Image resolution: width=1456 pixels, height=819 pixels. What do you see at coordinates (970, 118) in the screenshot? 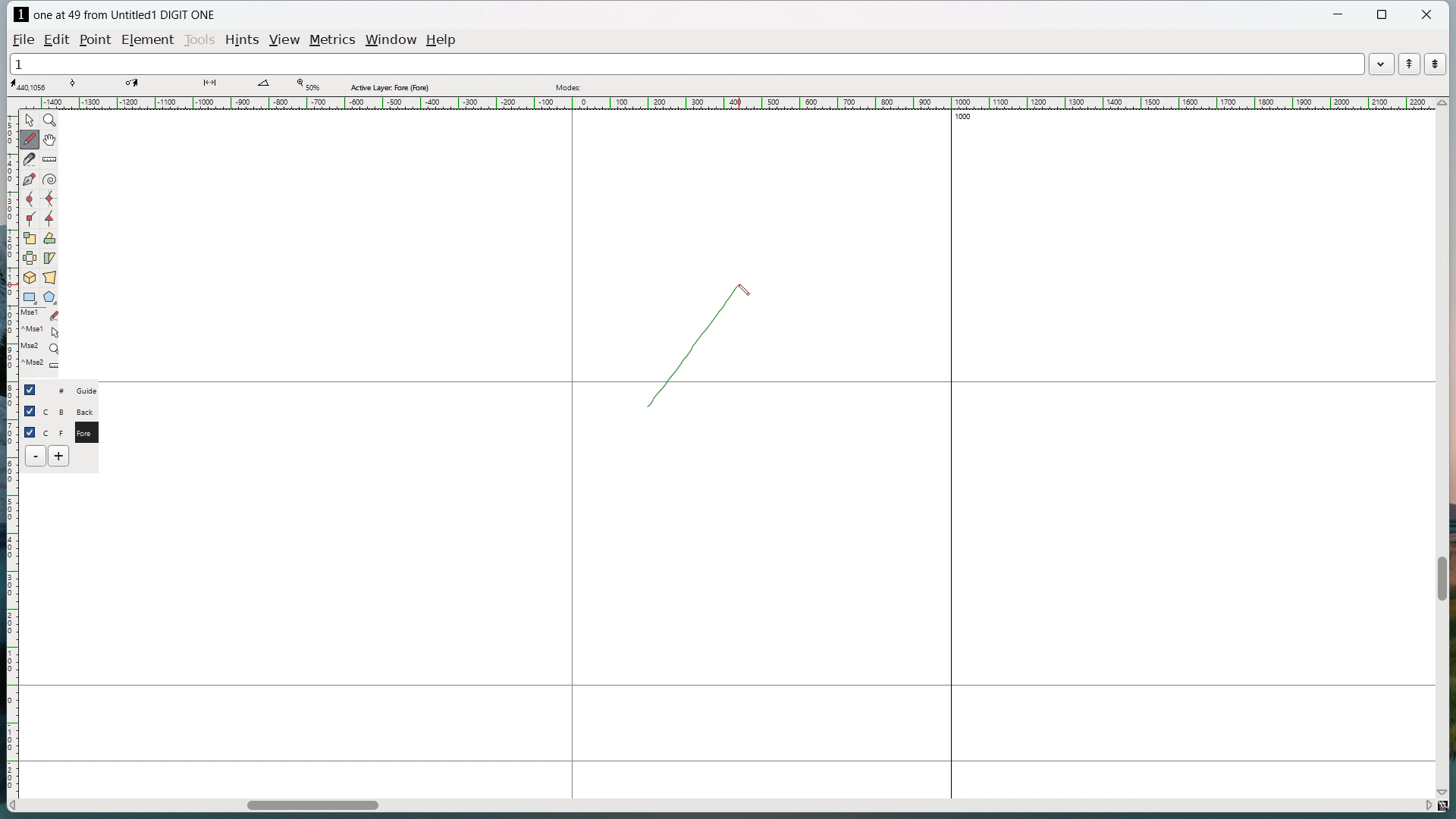
I see `1000` at bounding box center [970, 118].